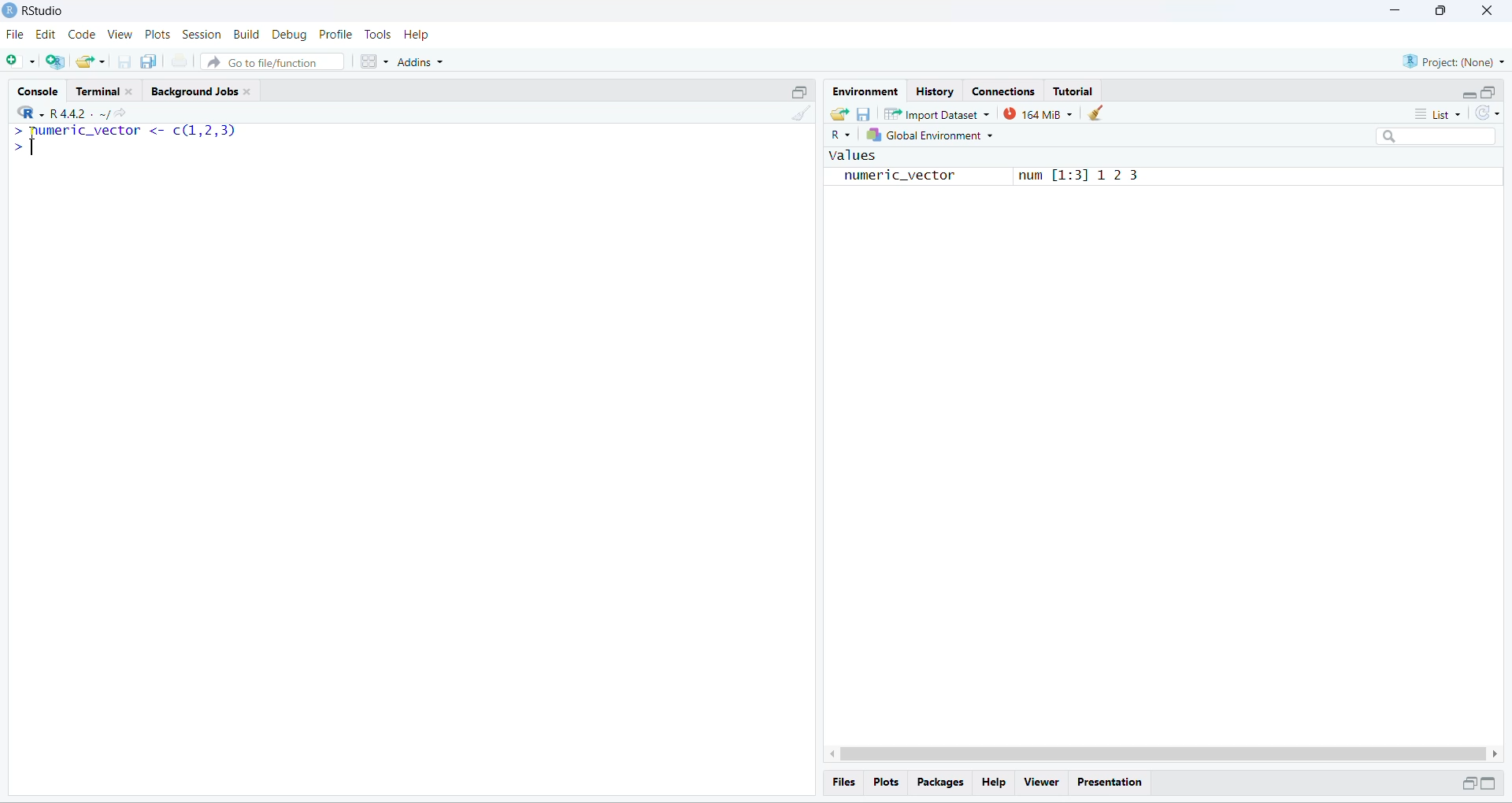 The width and height of the screenshot is (1512, 803). I want to click on numeric_vector, so click(890, 177).